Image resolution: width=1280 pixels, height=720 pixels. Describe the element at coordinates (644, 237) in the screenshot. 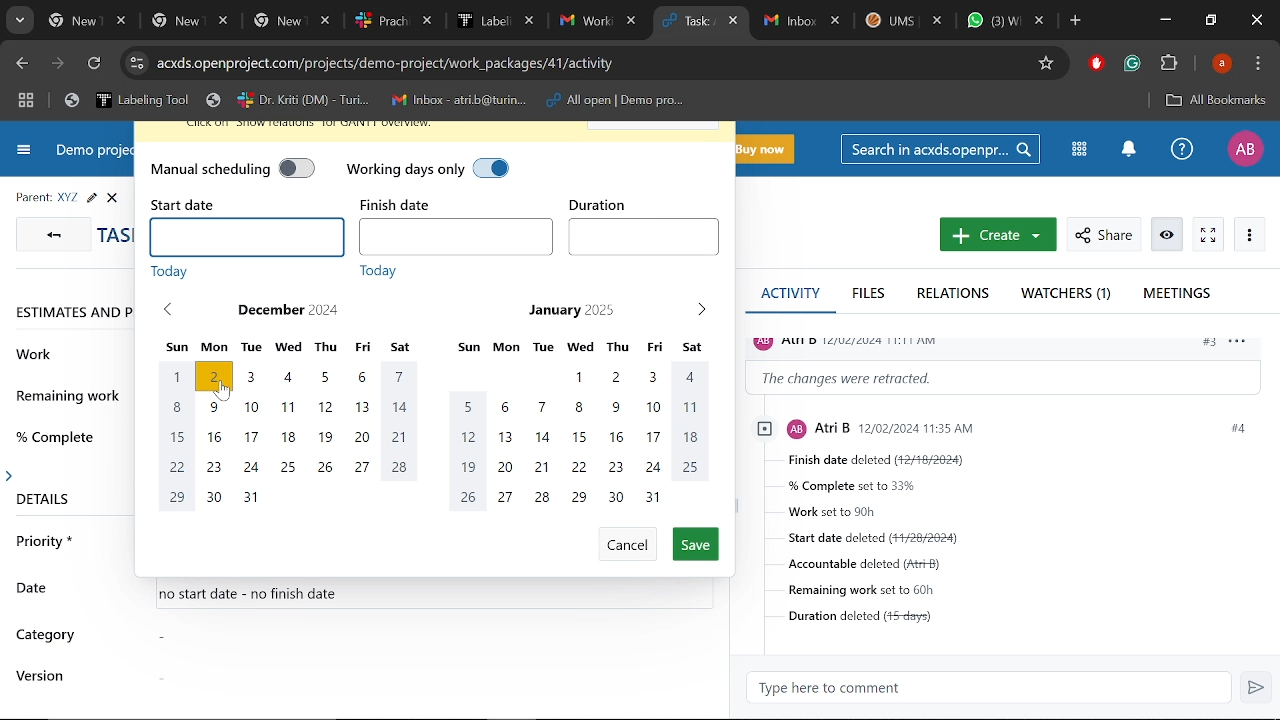

I see `Duration` at that location.